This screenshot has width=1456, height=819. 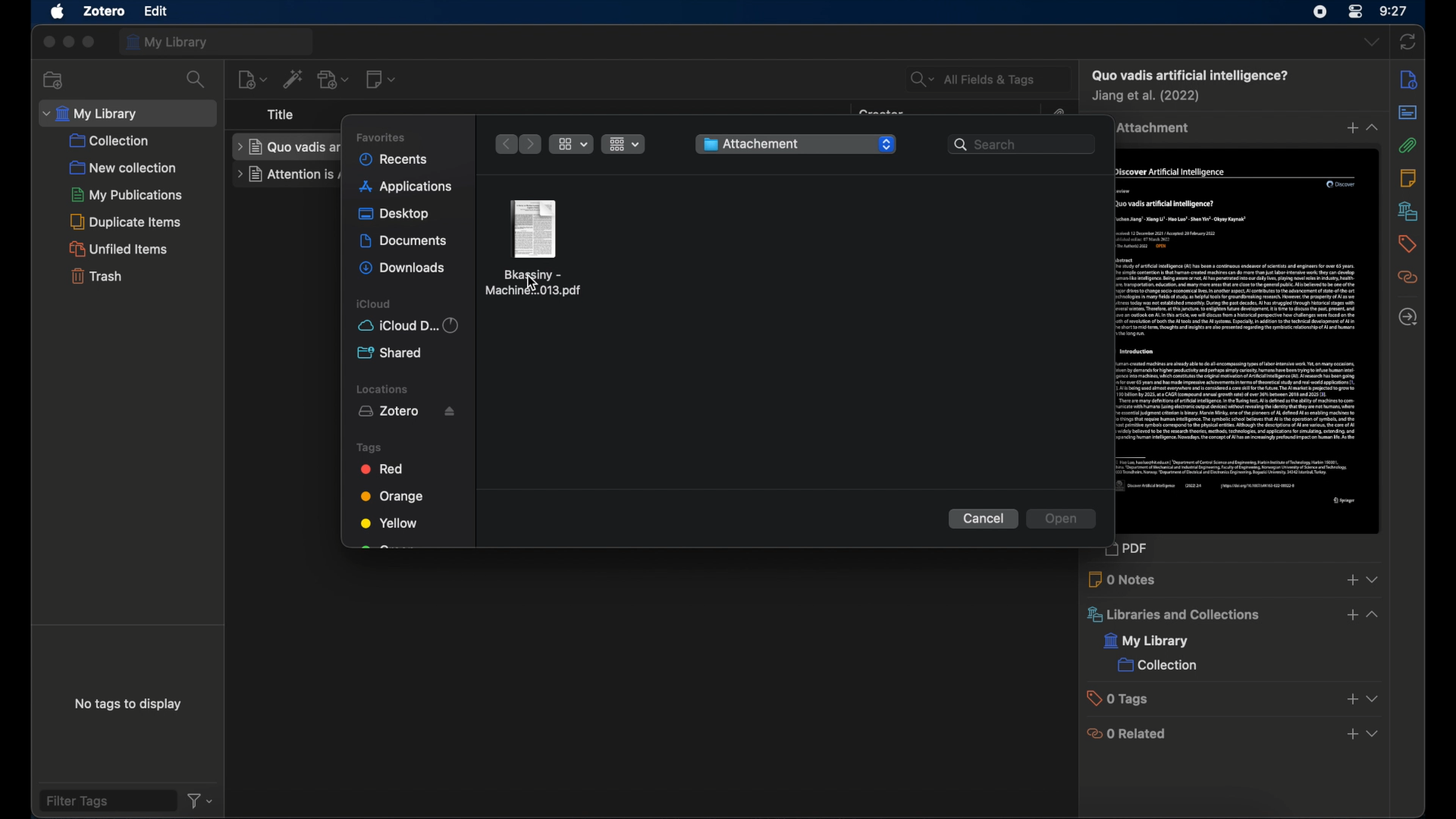 I want to click on iCloud, so click(x=375, y=304).